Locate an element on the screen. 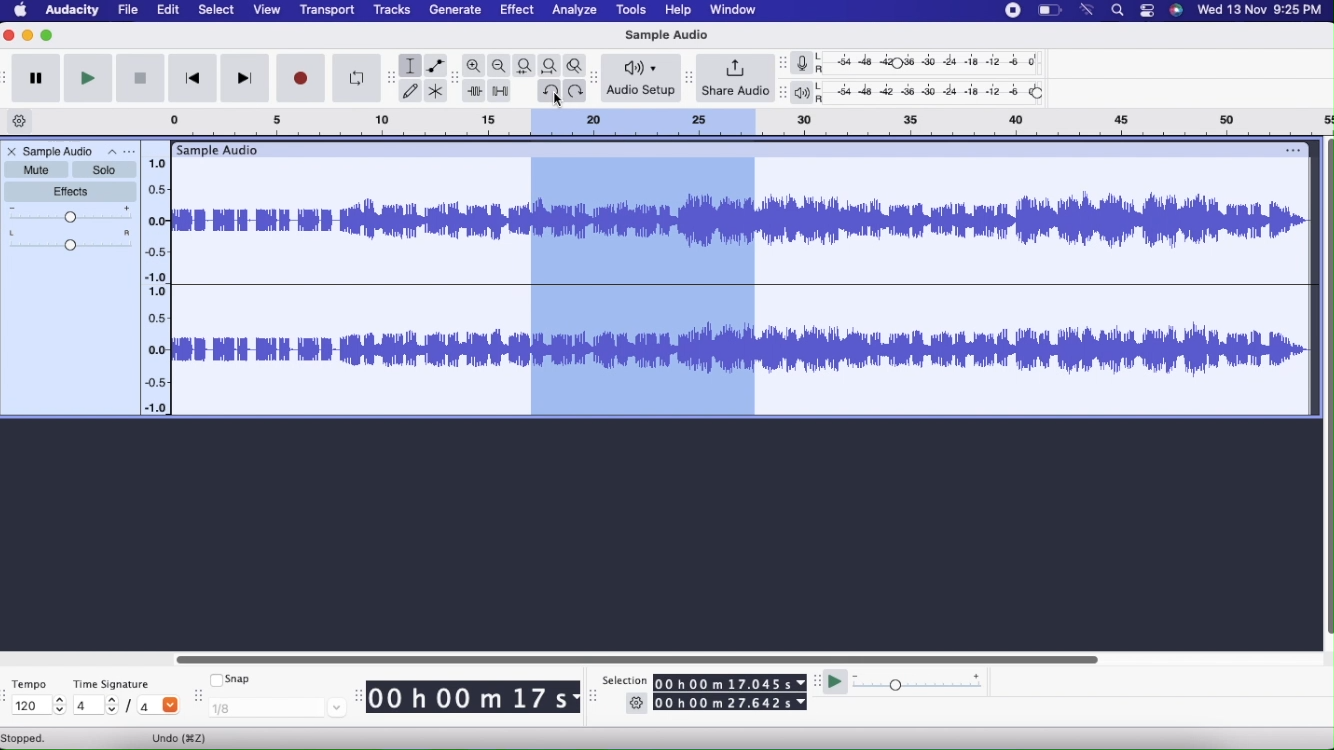 The width and height of the screenshot is (1334, 750). move toolbar is located at coordinates (596, 77).